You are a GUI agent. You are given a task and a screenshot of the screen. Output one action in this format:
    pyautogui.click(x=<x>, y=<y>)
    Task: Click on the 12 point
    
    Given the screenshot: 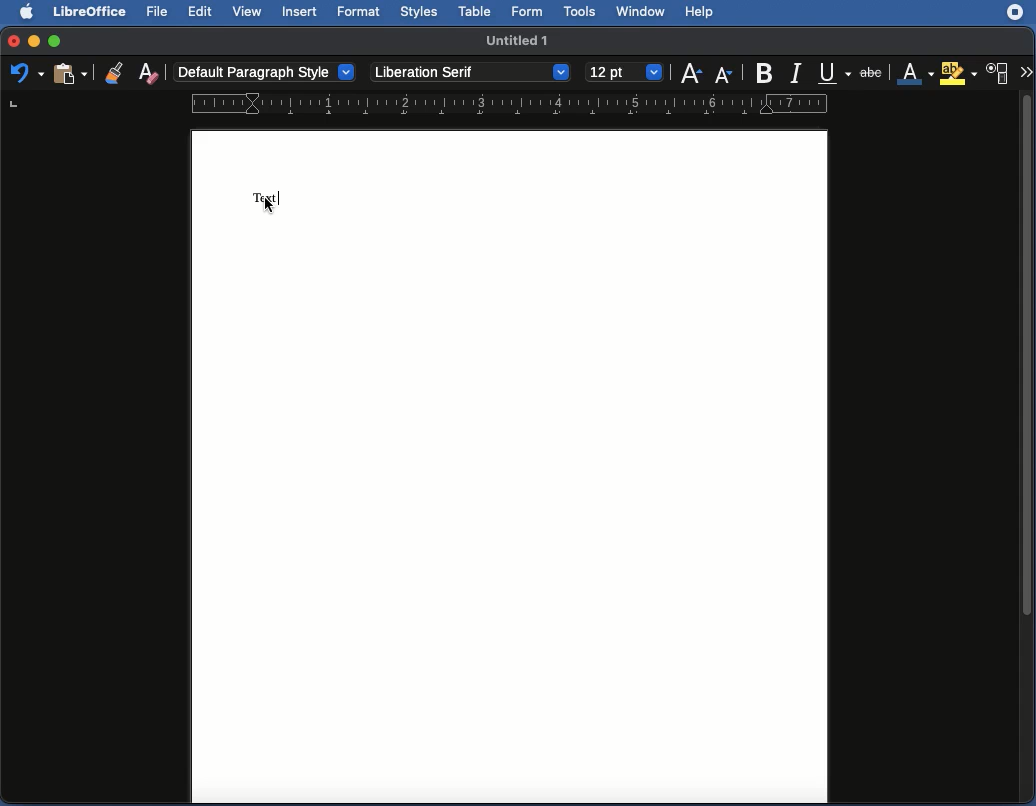 What is the action you would take?
    pyautogui.click(x=629, y=72)
    